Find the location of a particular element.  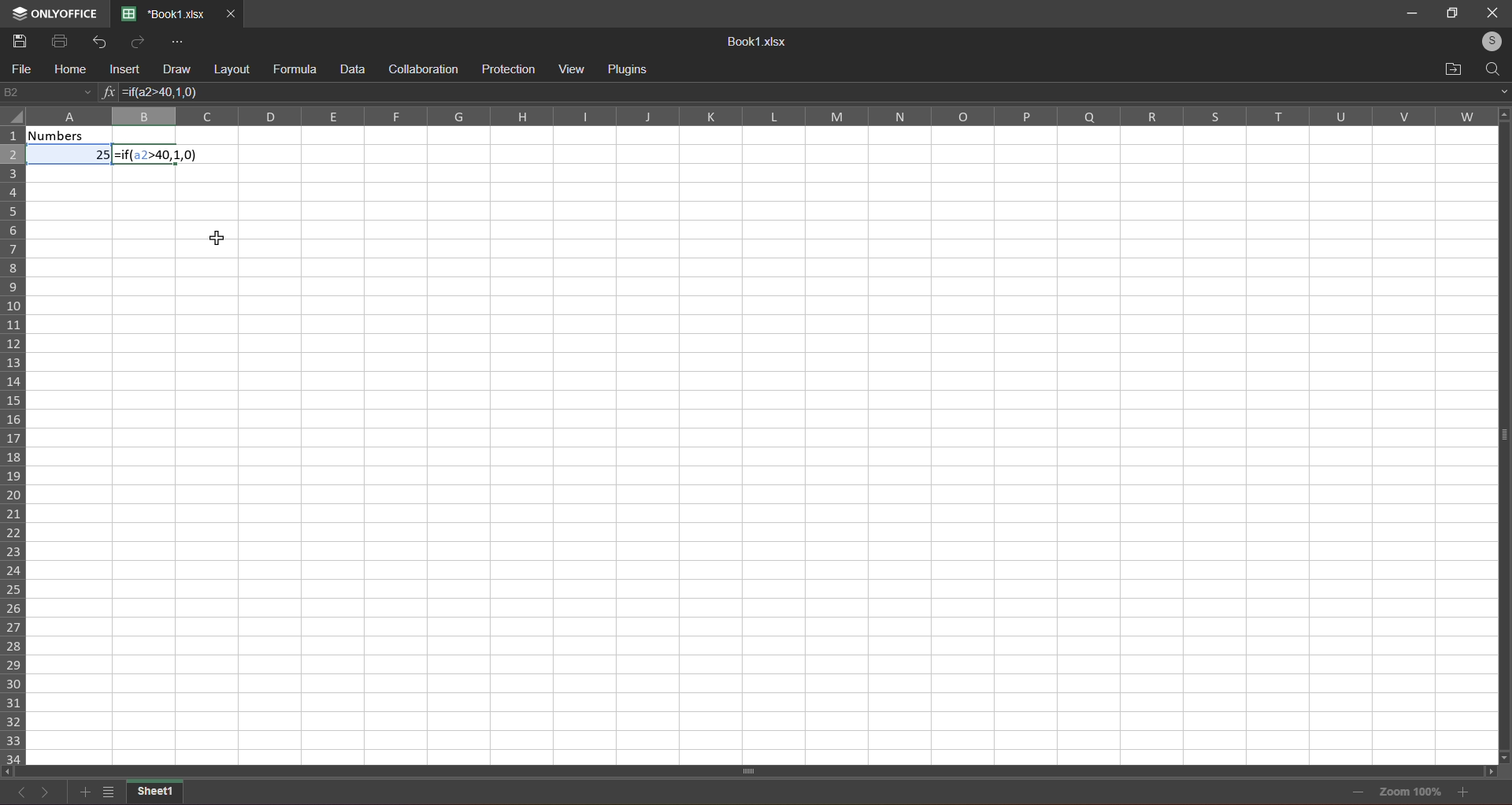

next is located at coordinates (45, 793).